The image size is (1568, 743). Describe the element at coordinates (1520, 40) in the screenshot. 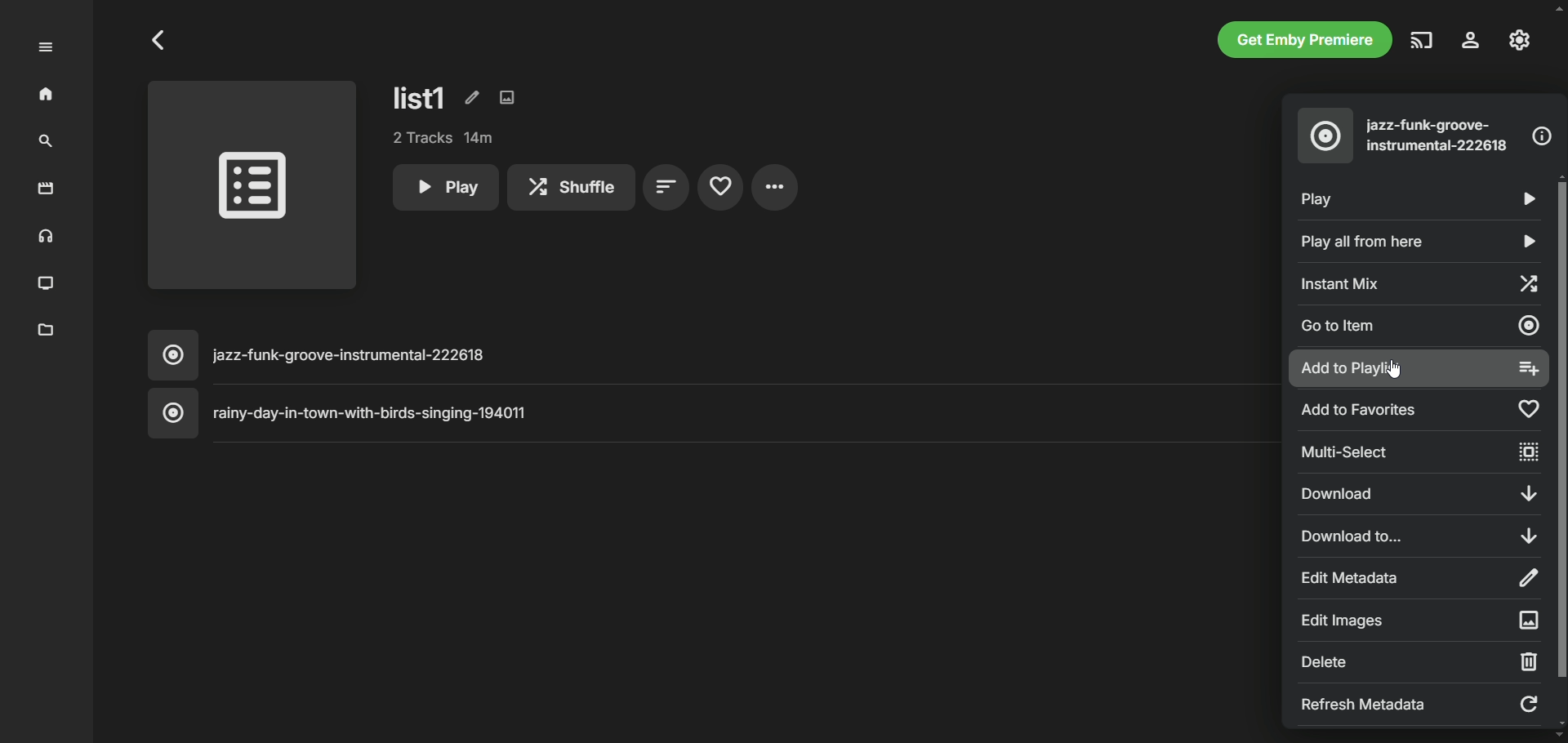

I see `manage emby server` at that location.